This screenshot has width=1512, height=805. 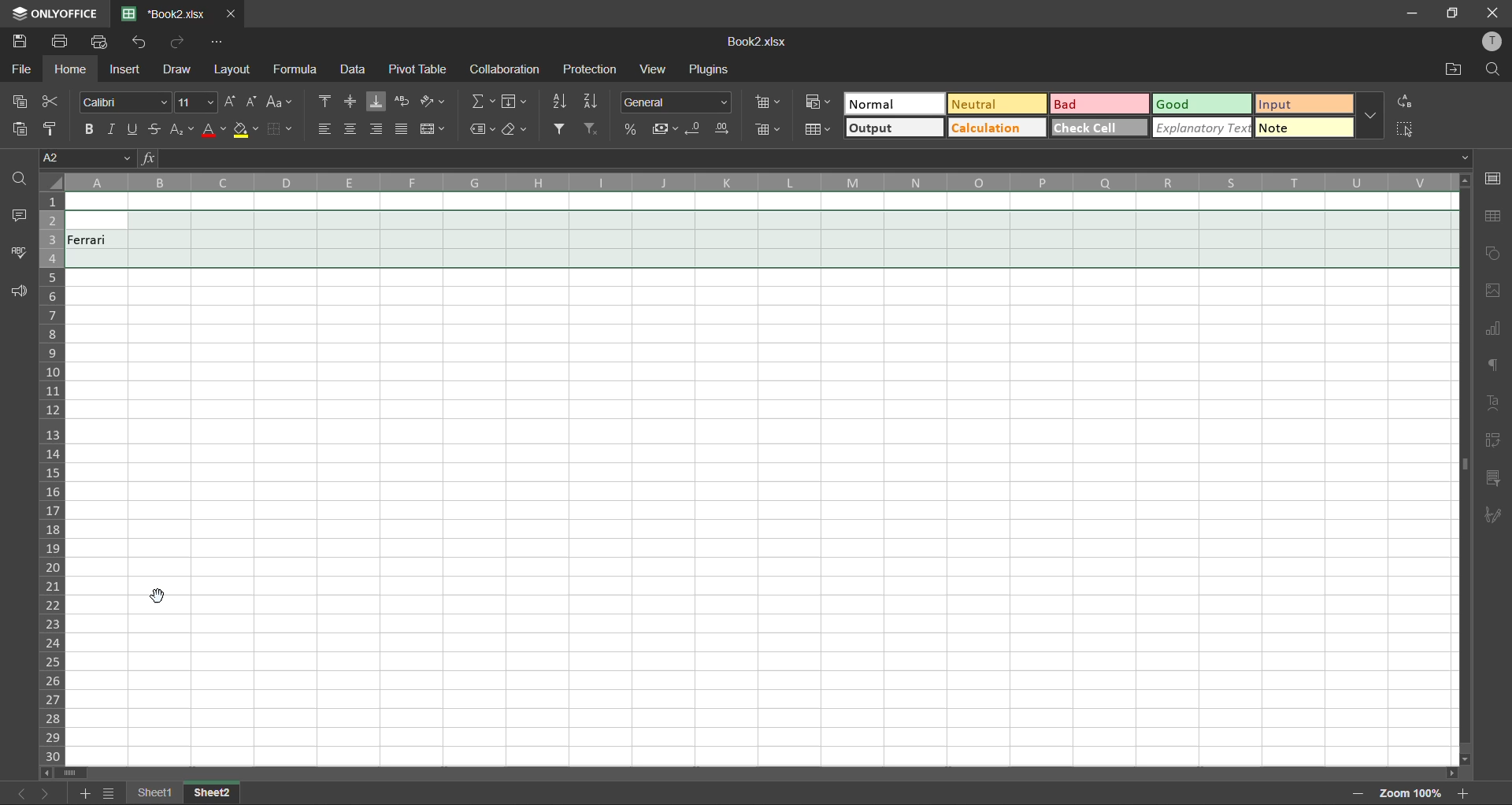 What do you see at coordinates (891, 103) in the screenshot?
I see `normal` at bounding box center [891, 103].